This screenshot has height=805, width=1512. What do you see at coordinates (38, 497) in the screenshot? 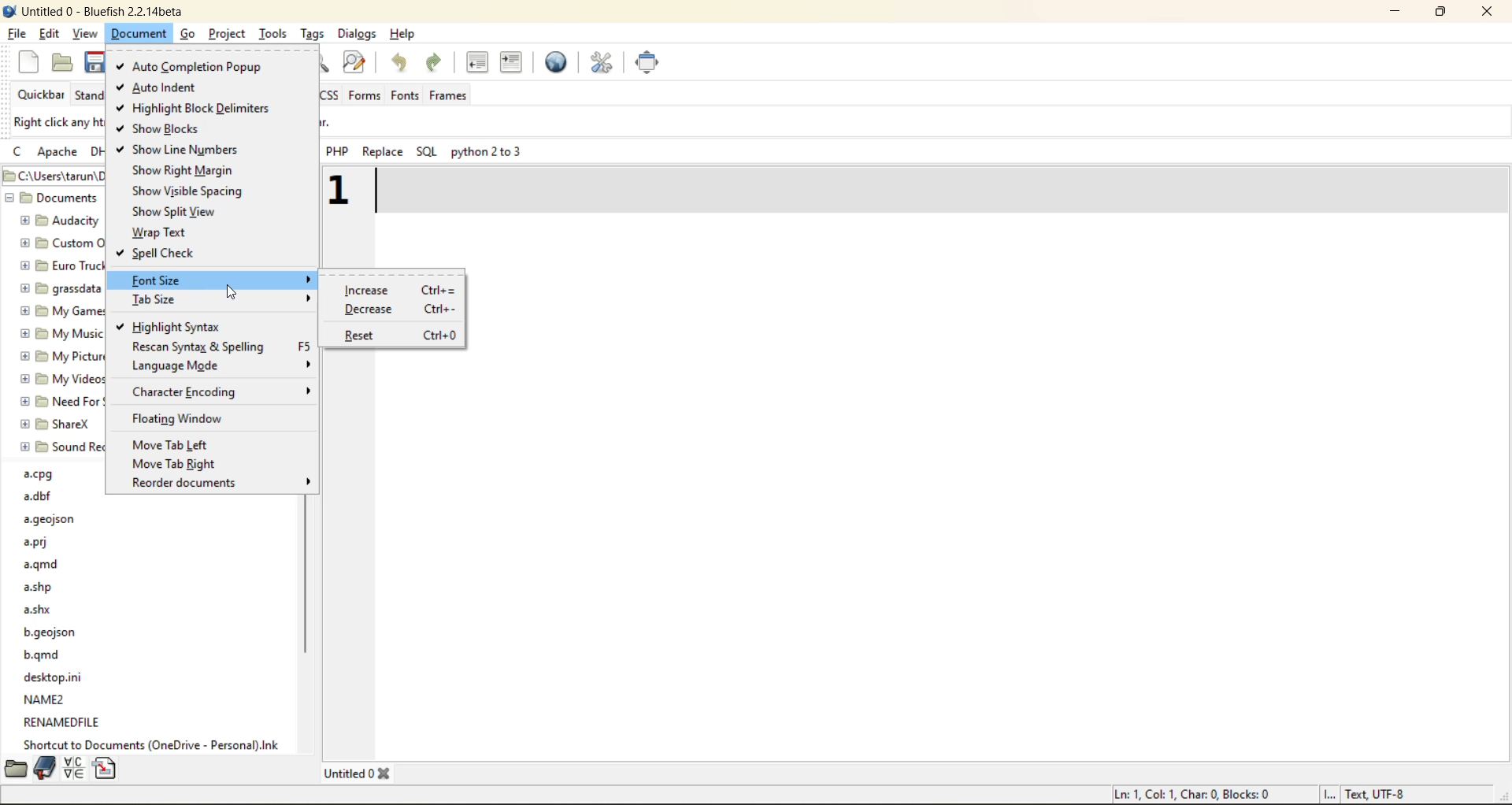
I see `a.dbf` at bounding box center [38, 497].